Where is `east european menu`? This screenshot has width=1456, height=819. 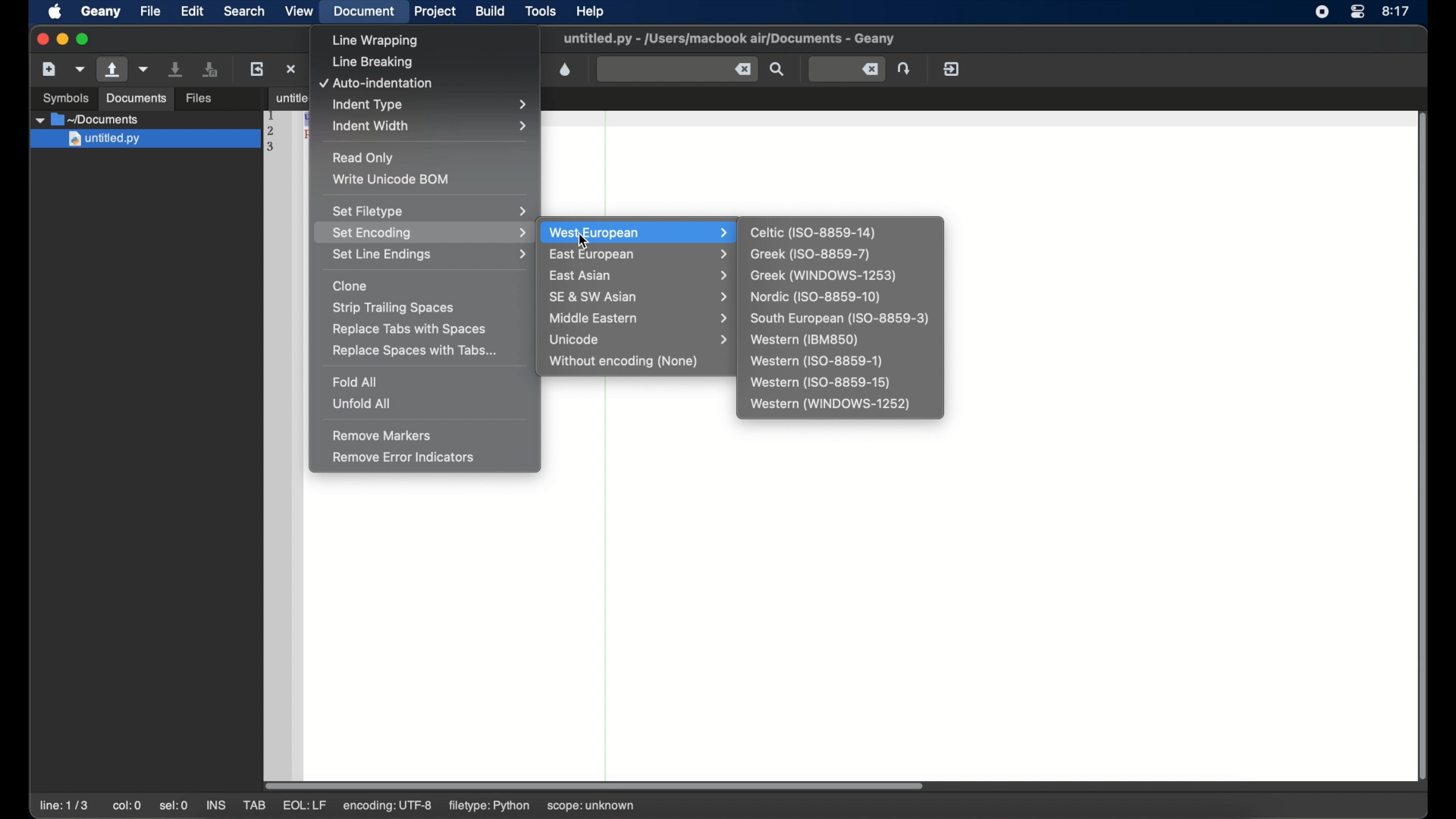 east european menu is located at coordinates (640, 256).